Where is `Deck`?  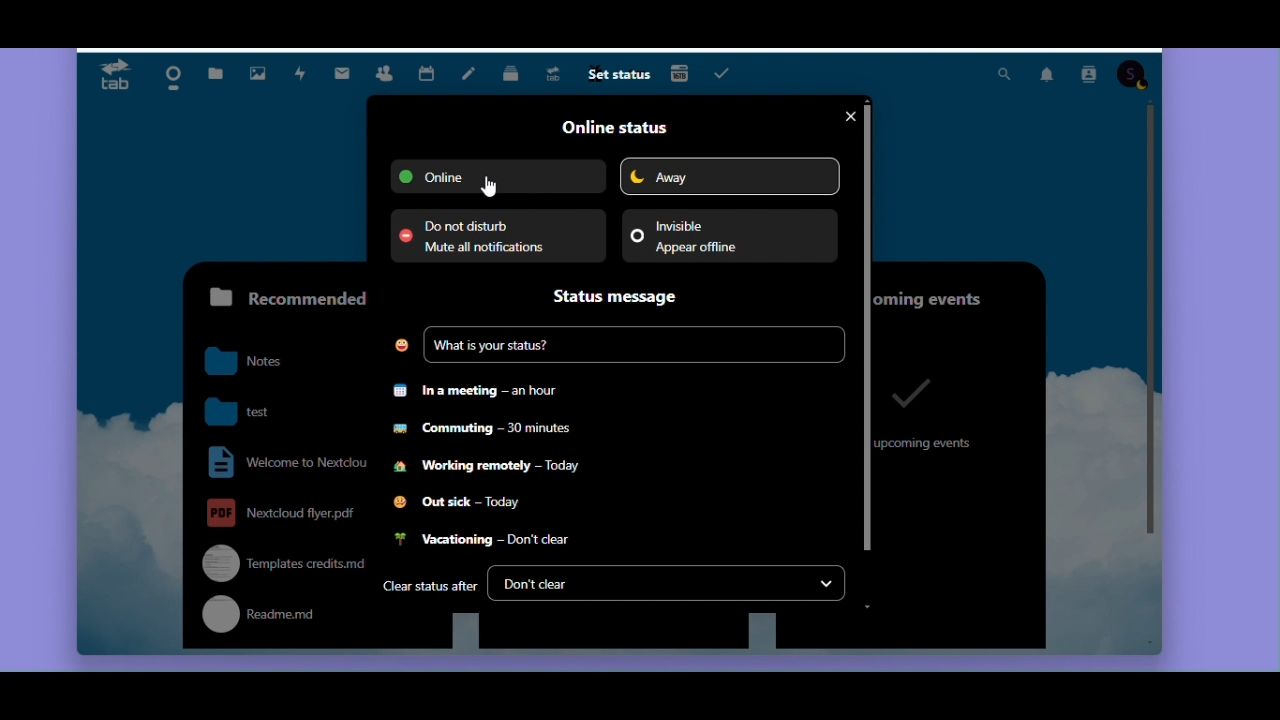
Deck is located at coordinates (513, 76).